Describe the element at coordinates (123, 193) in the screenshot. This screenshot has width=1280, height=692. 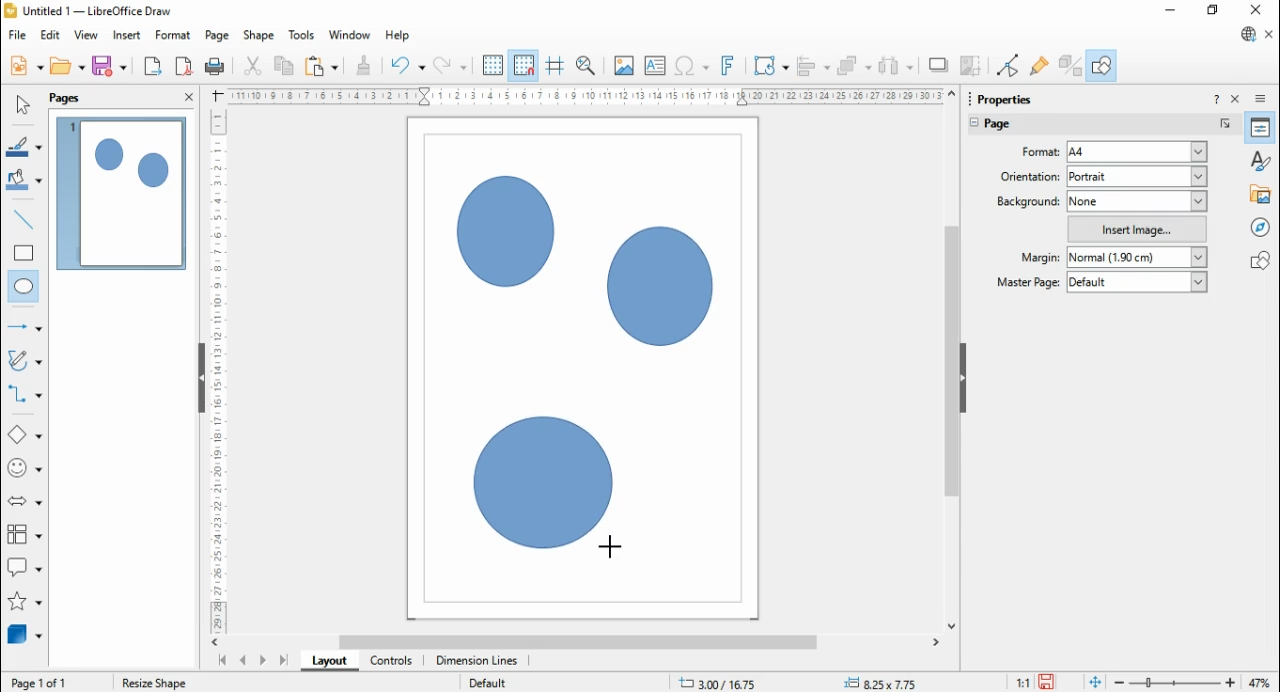
I see `page 1` at that location.